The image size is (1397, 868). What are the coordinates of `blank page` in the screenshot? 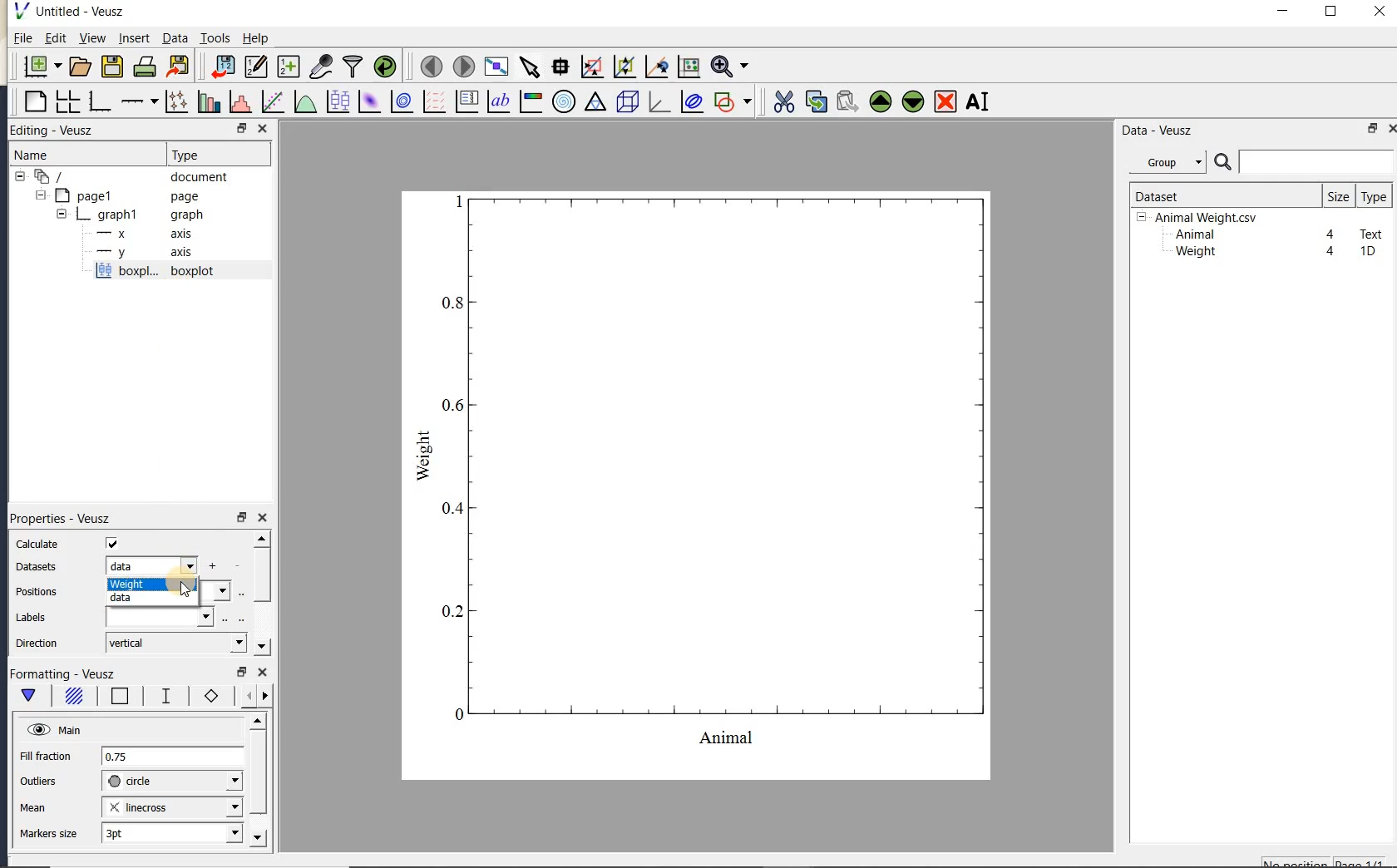 It's located at (33, 102).